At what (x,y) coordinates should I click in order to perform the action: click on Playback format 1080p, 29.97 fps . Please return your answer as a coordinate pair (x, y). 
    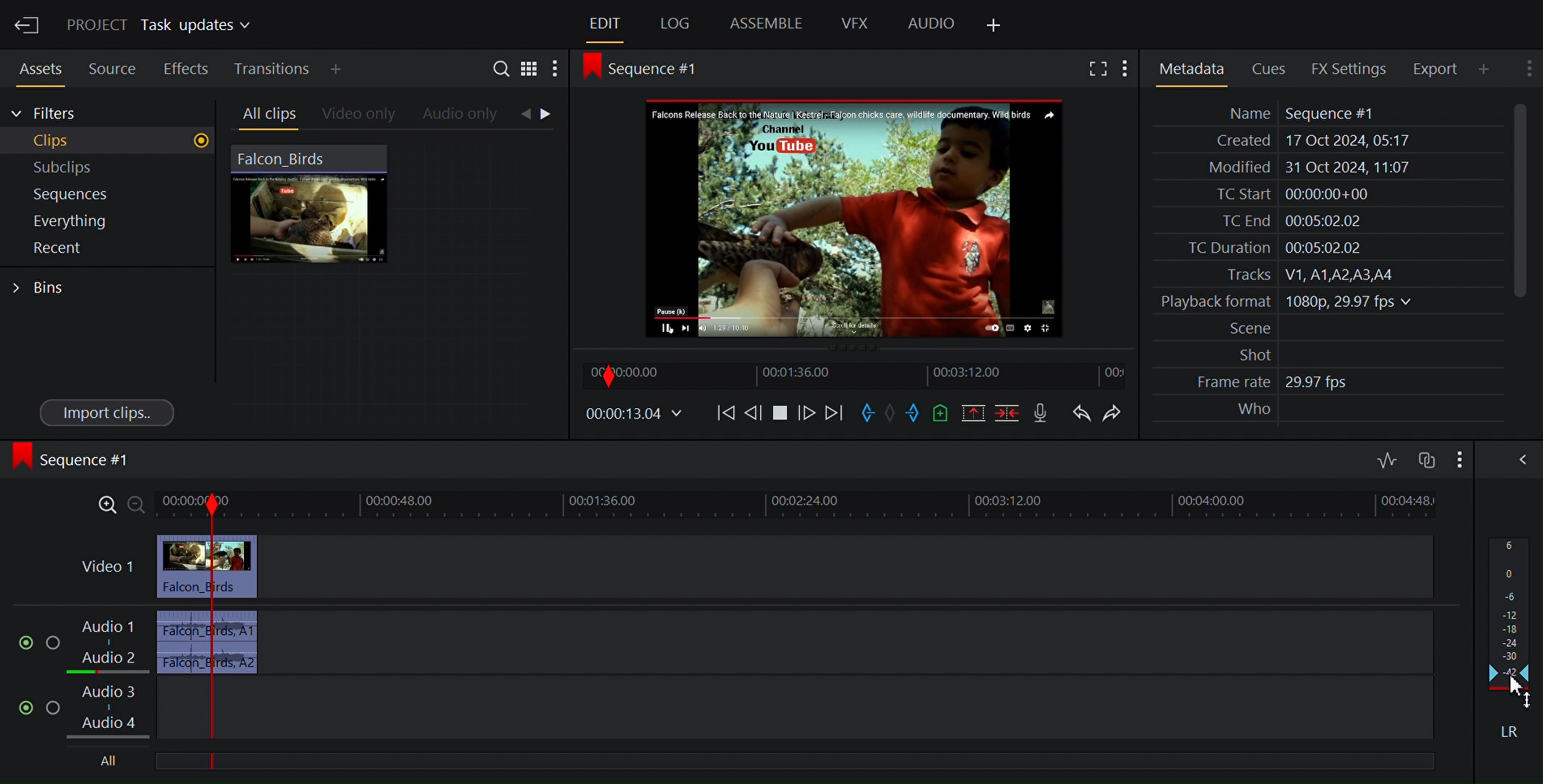
    Looking at the image, I should click on (1282, 302).